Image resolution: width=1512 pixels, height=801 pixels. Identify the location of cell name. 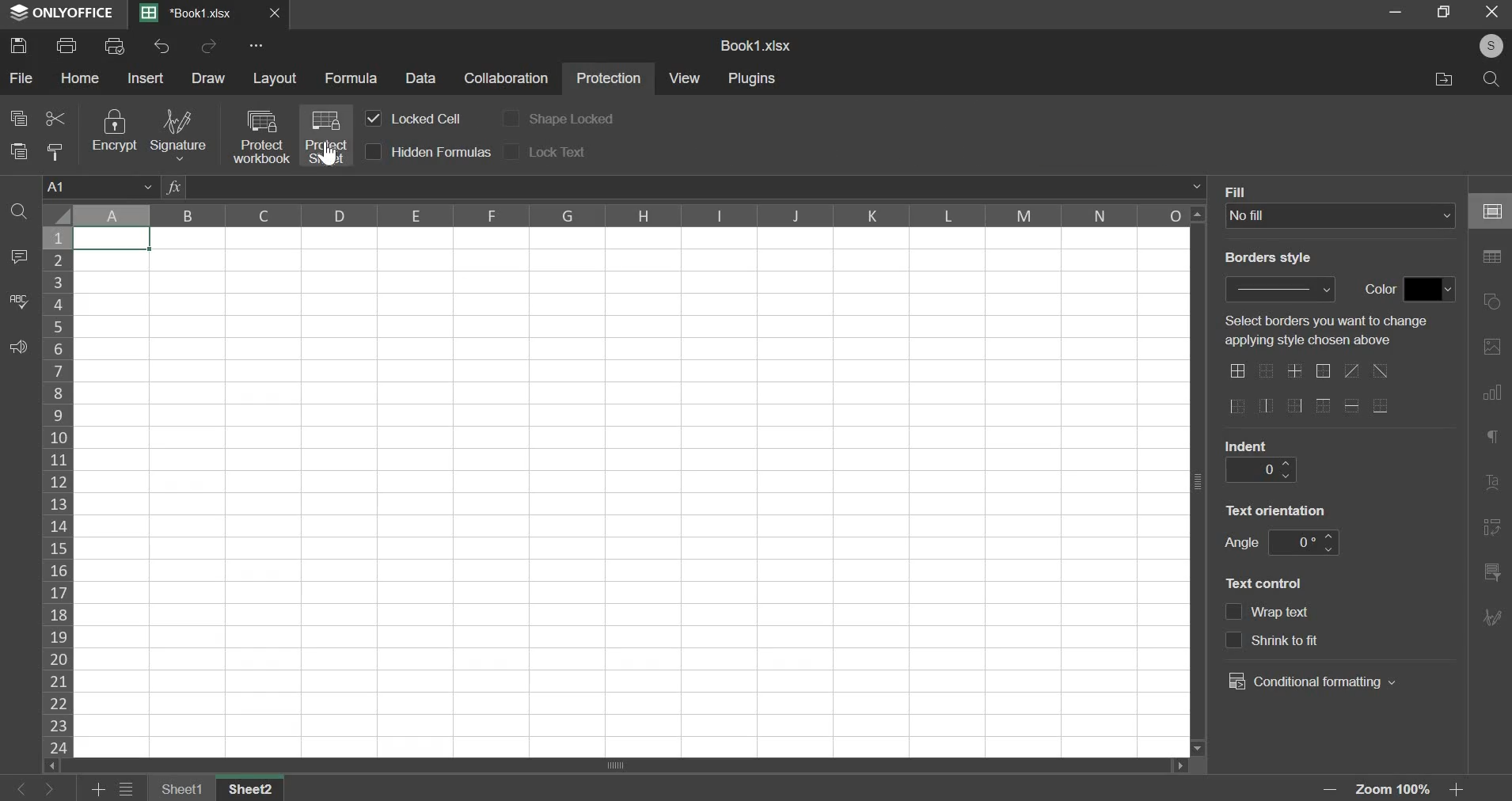
(101, 185).